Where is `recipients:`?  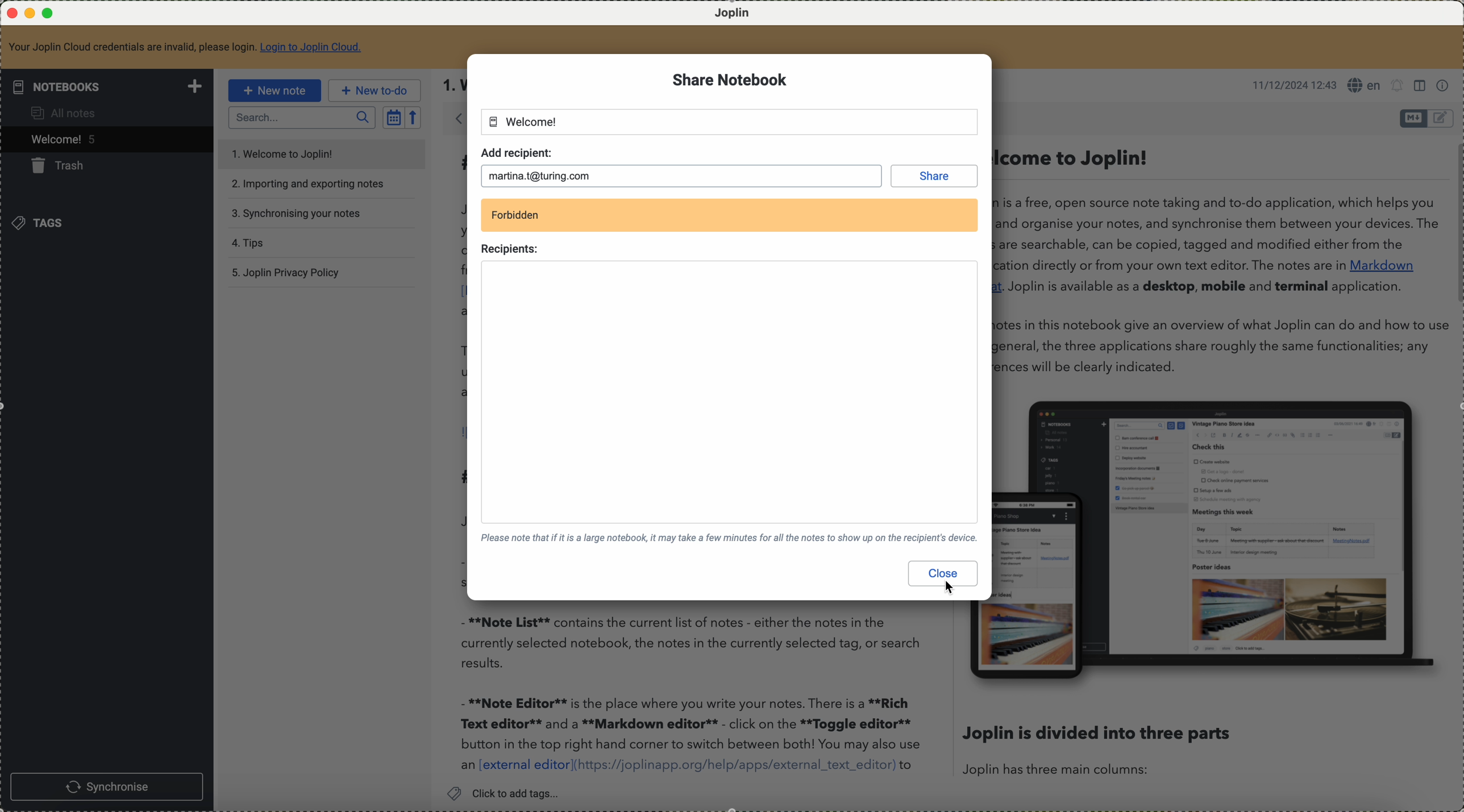
recipients: is located at coordinates (511, 250).